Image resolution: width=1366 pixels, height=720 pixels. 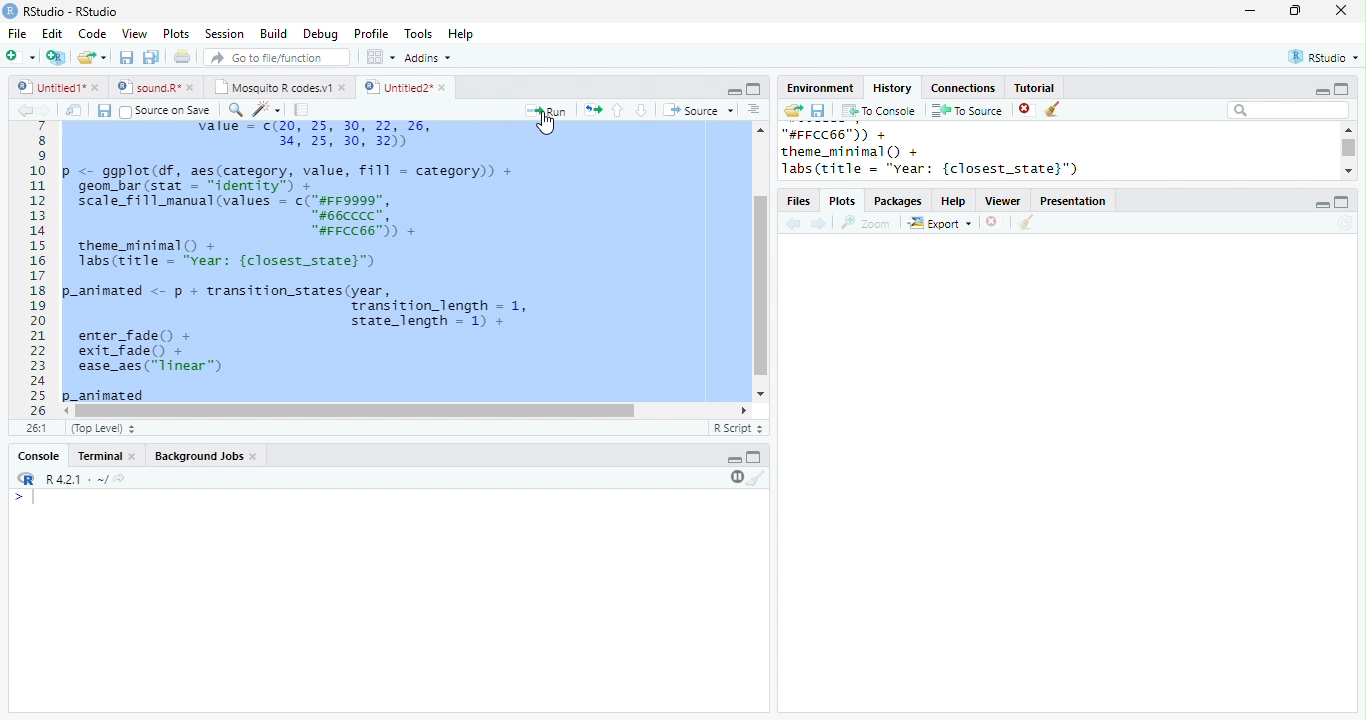 I want to click on save, so click(x=818, y=110).